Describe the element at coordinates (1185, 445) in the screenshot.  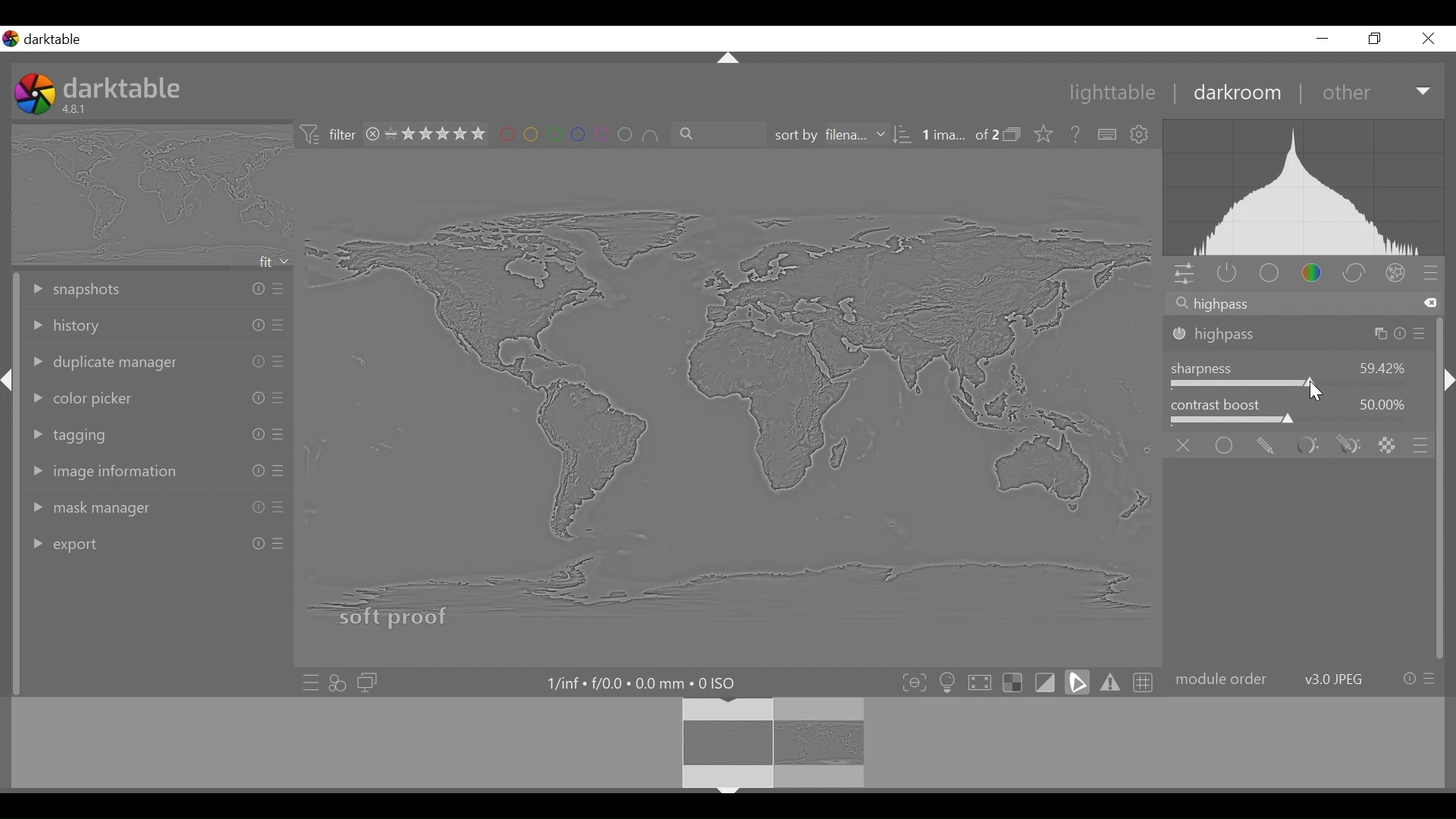
I see `off` at that location.